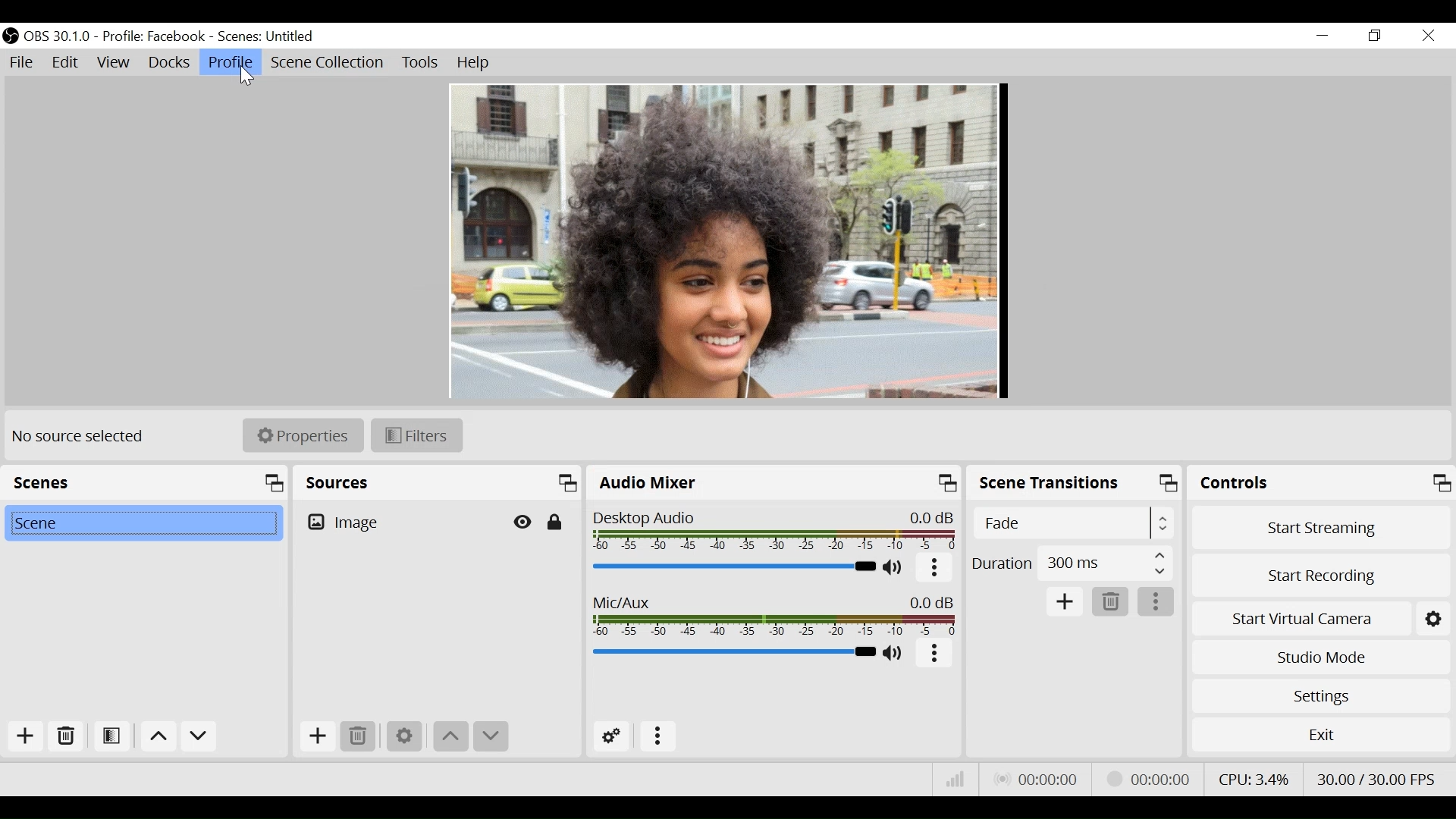 The height and width of the screenshot is (819, 1456). What do you see at coordinates (934, 655) in the screenshot?
I see `more options` at bounding box center [934, 655].